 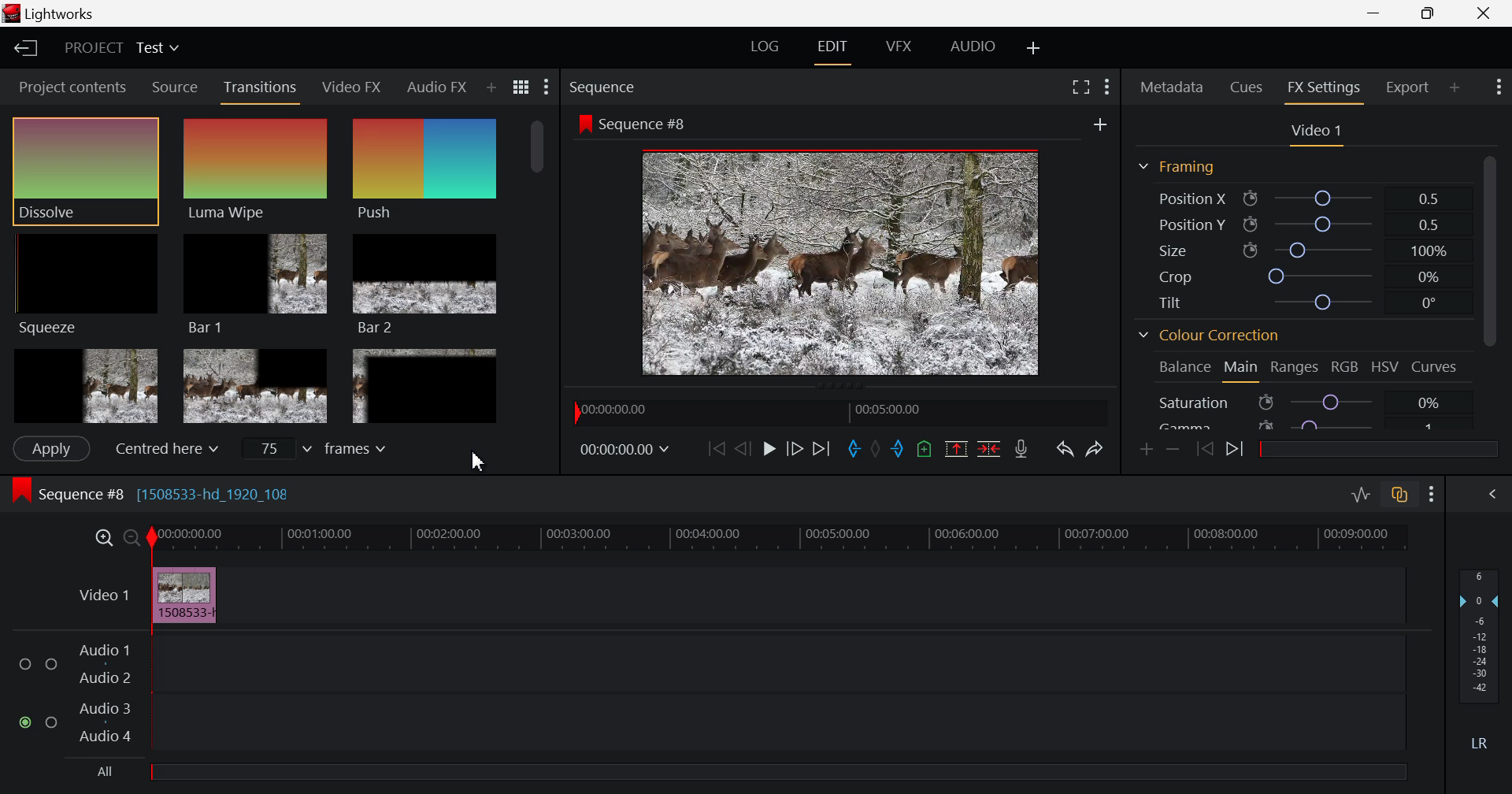 I want to click on Video Settings, so click(x=1317, y=135).